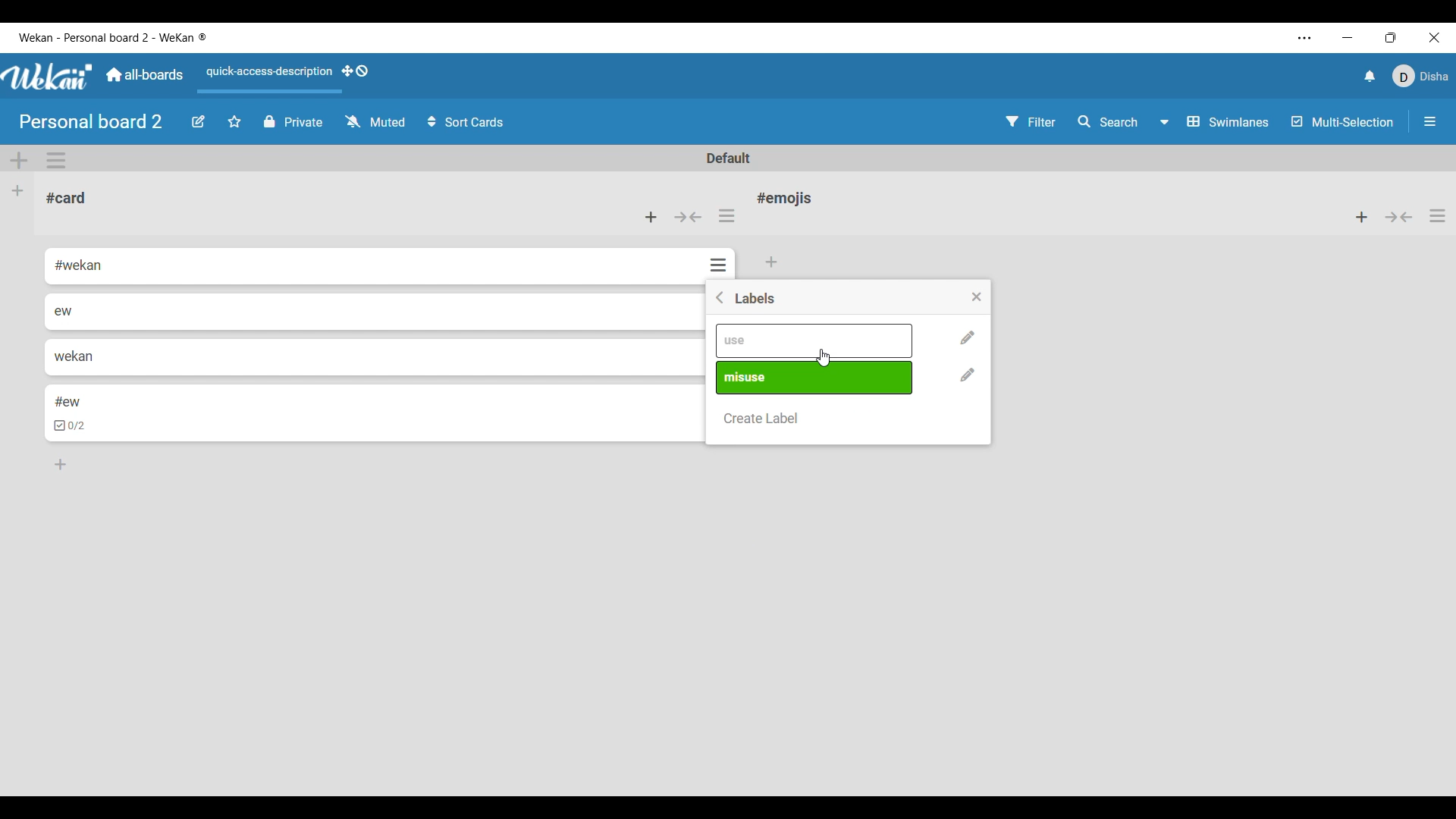 This screenshot has height=819, width=1456. What do you see at coordinates (355, 71) in the screenshot?
I see `Show desktop drag handles` at bounding box center [355, 71].